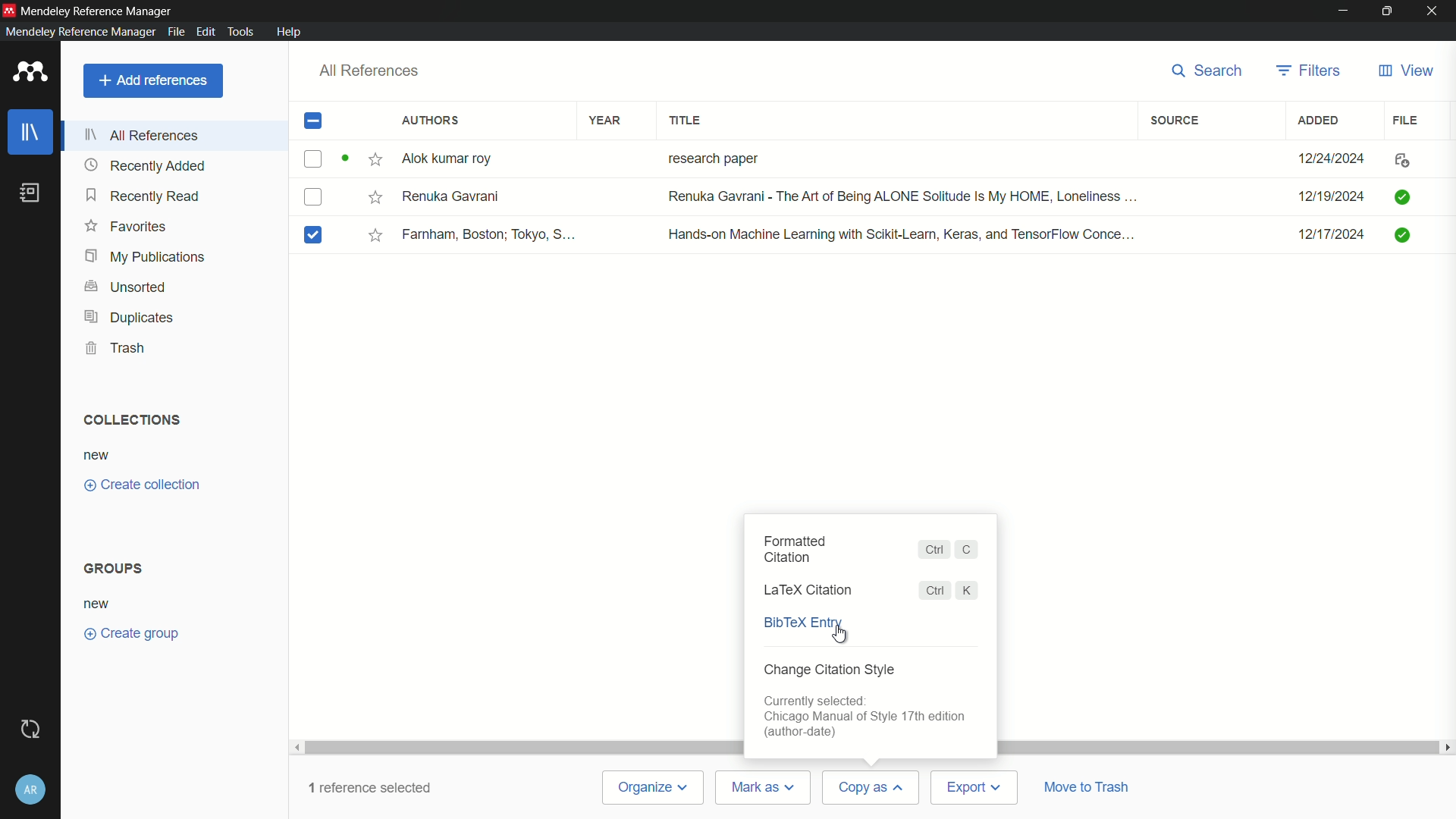 This screenshot has height=819, width=1456. What do you see at coordinates (327, 158) in the screenshot?
I see `Checkbox` at bounding box center [327, 158].